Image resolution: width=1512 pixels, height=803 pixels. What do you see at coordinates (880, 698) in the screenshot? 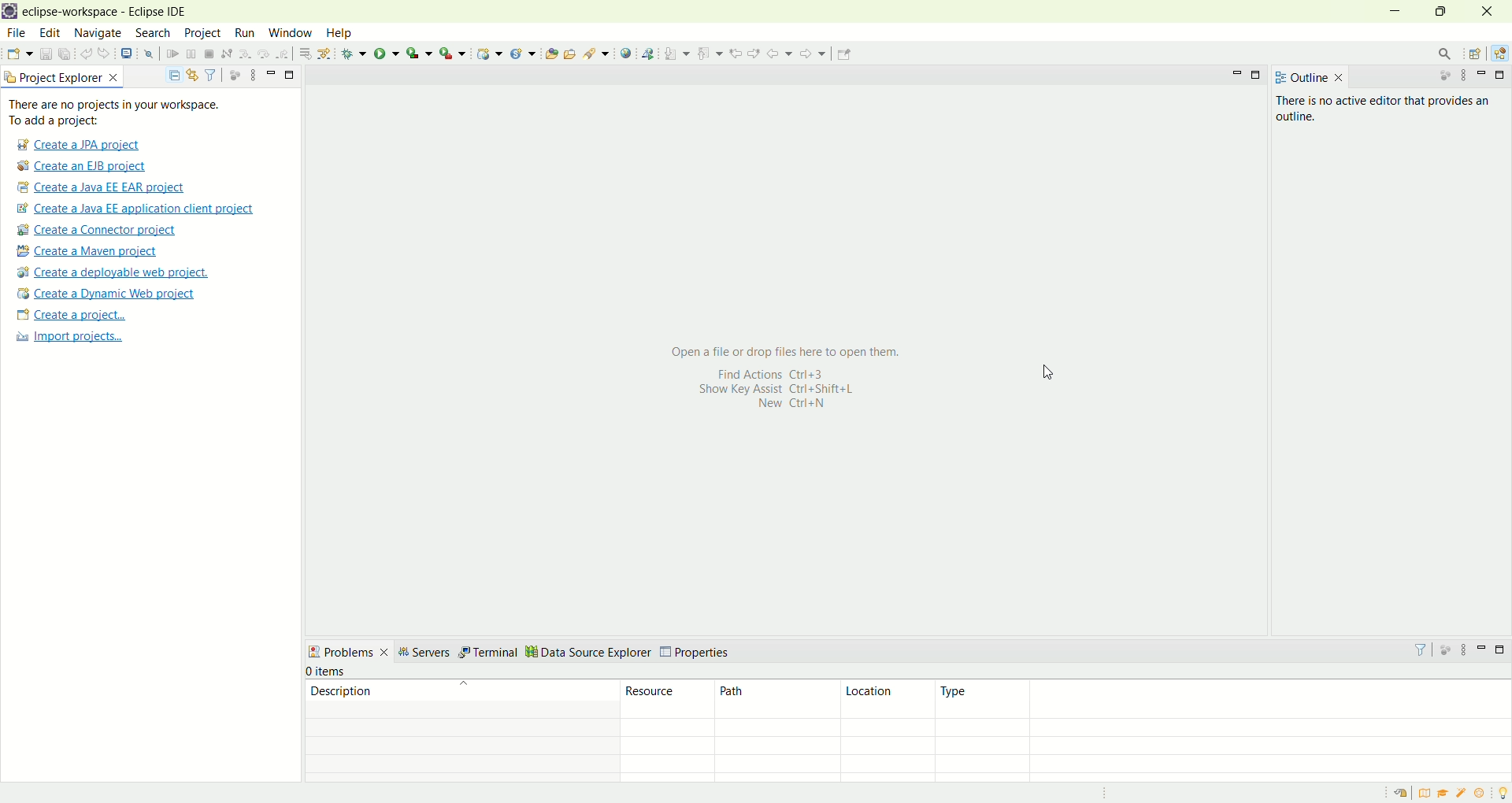
I see `location` at bounding box center [880, 698].